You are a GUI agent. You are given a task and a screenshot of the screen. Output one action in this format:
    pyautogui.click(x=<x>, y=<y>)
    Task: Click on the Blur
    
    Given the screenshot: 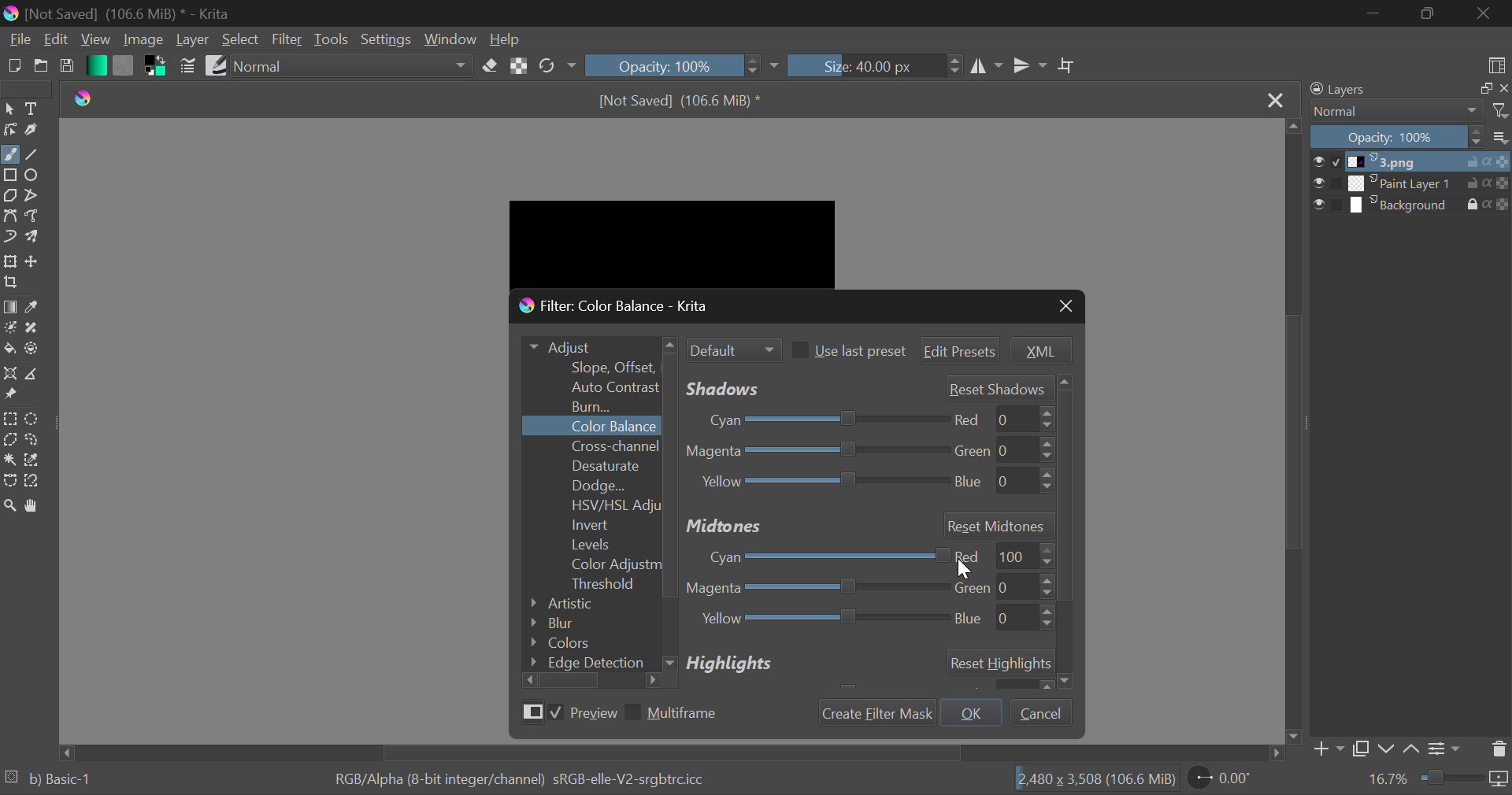 What is the action you would take?
    pyautogui.click(x=584, y=624)
    